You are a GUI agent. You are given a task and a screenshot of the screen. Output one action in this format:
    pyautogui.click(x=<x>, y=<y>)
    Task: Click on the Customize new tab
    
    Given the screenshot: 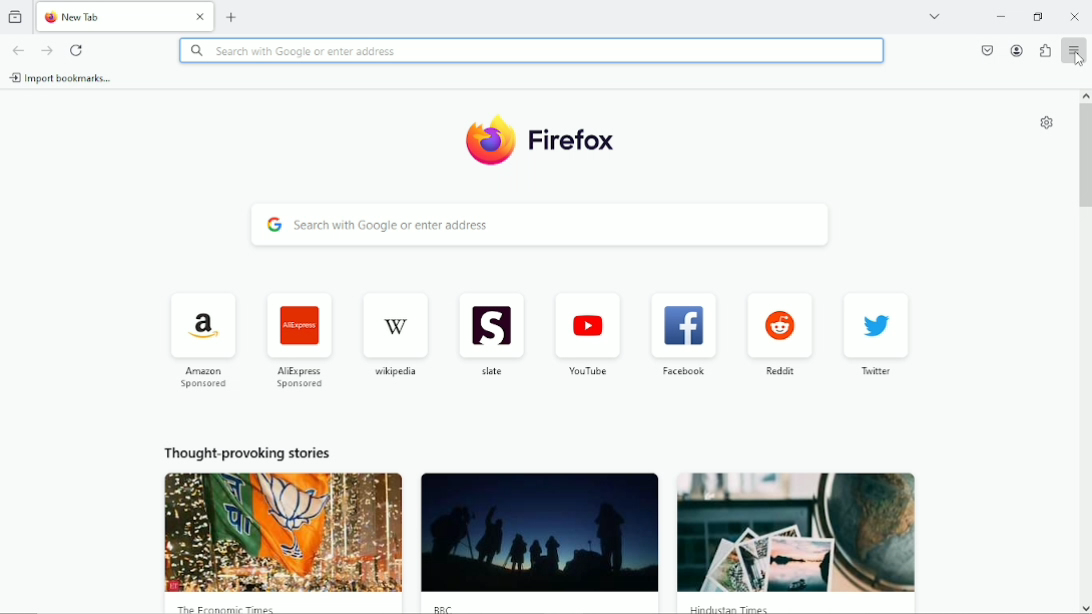 What is the action you would take?
    pyautogui.click(x=1048, y=122)
    